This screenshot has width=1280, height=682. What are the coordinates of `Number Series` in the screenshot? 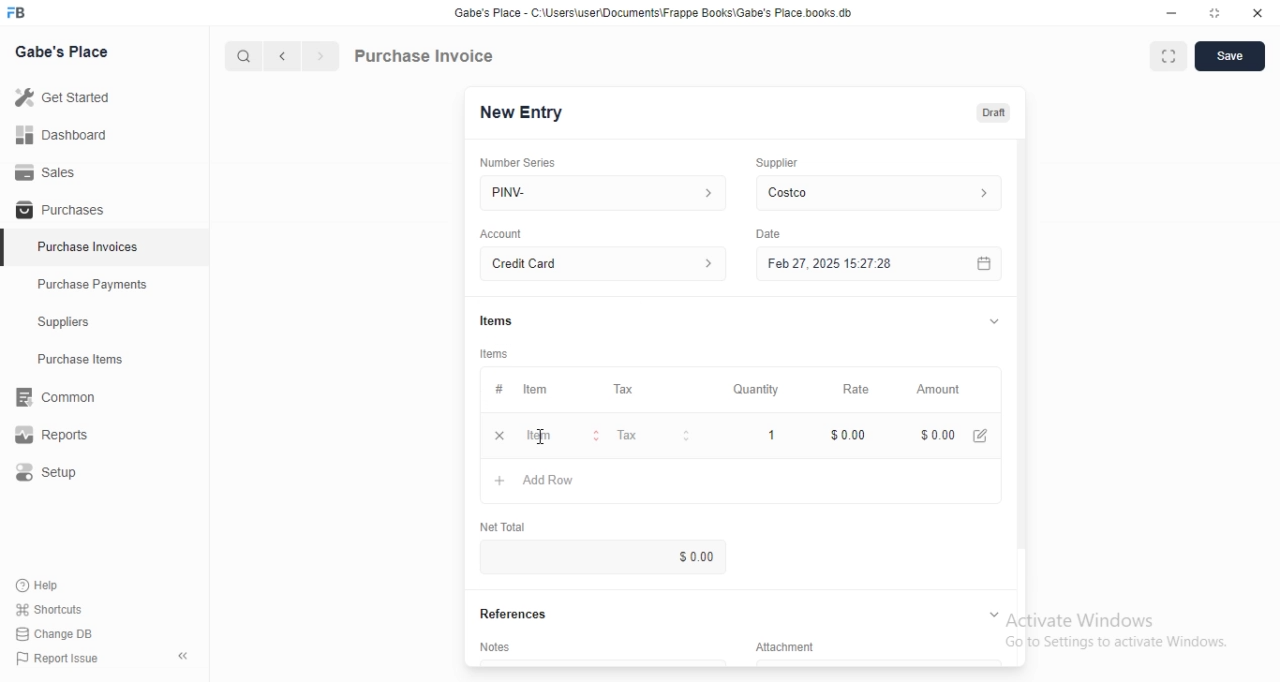 It's located at (518, 163).